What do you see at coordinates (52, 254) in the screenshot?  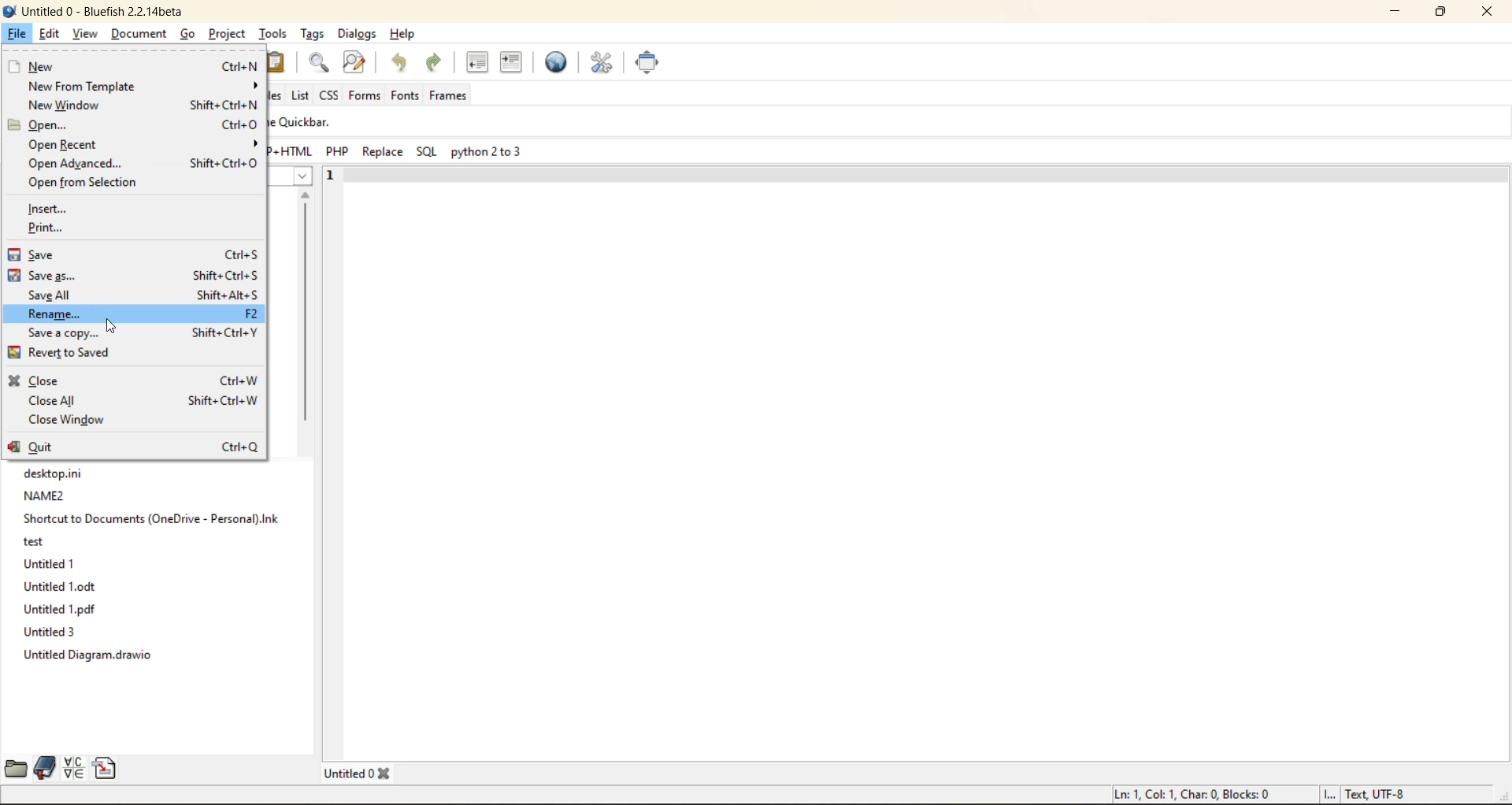 I see `save` at bounding box center [52, 254].